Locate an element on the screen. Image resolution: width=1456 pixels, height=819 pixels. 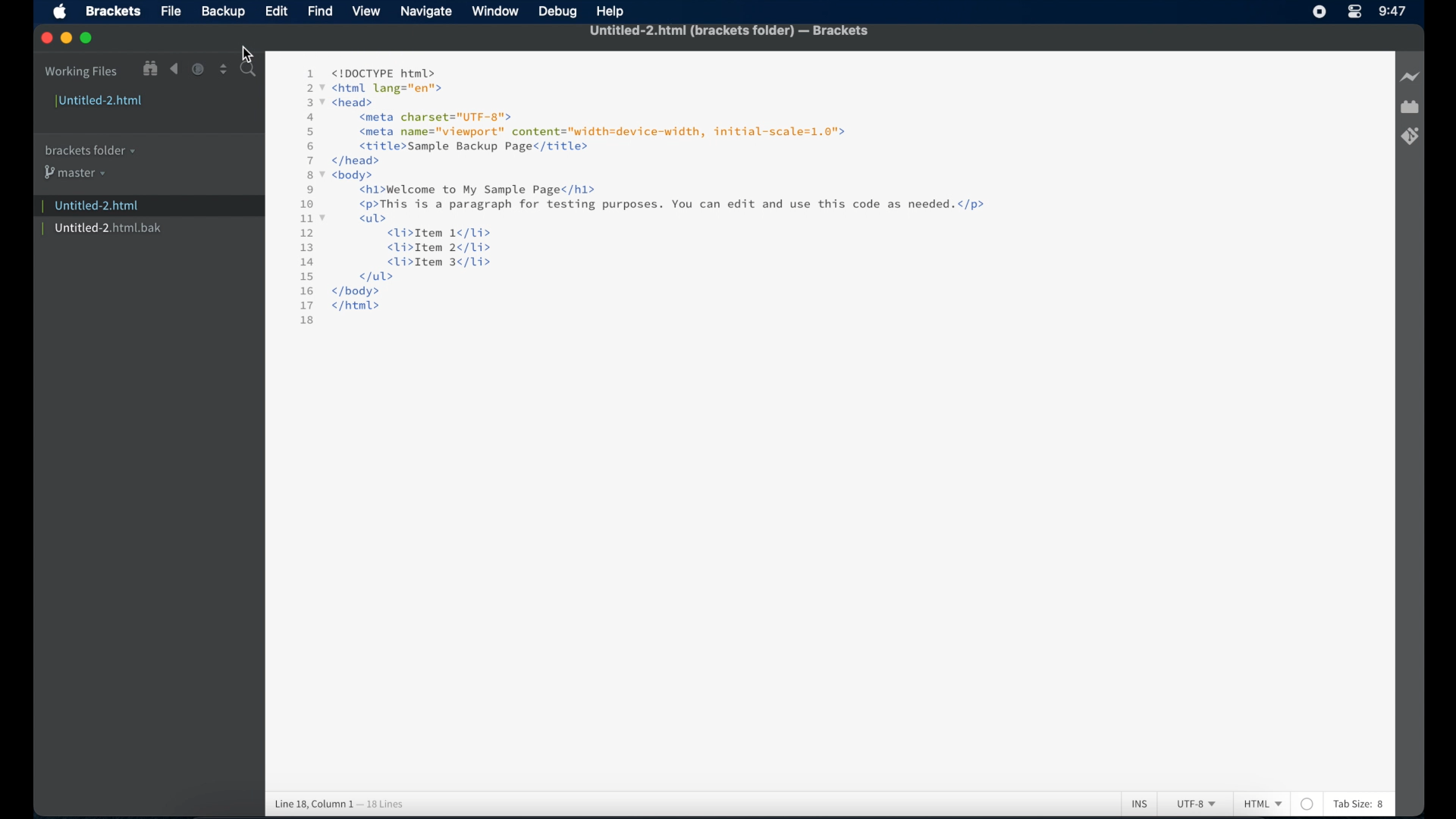
apple icon is located at coordinates (60, 12).